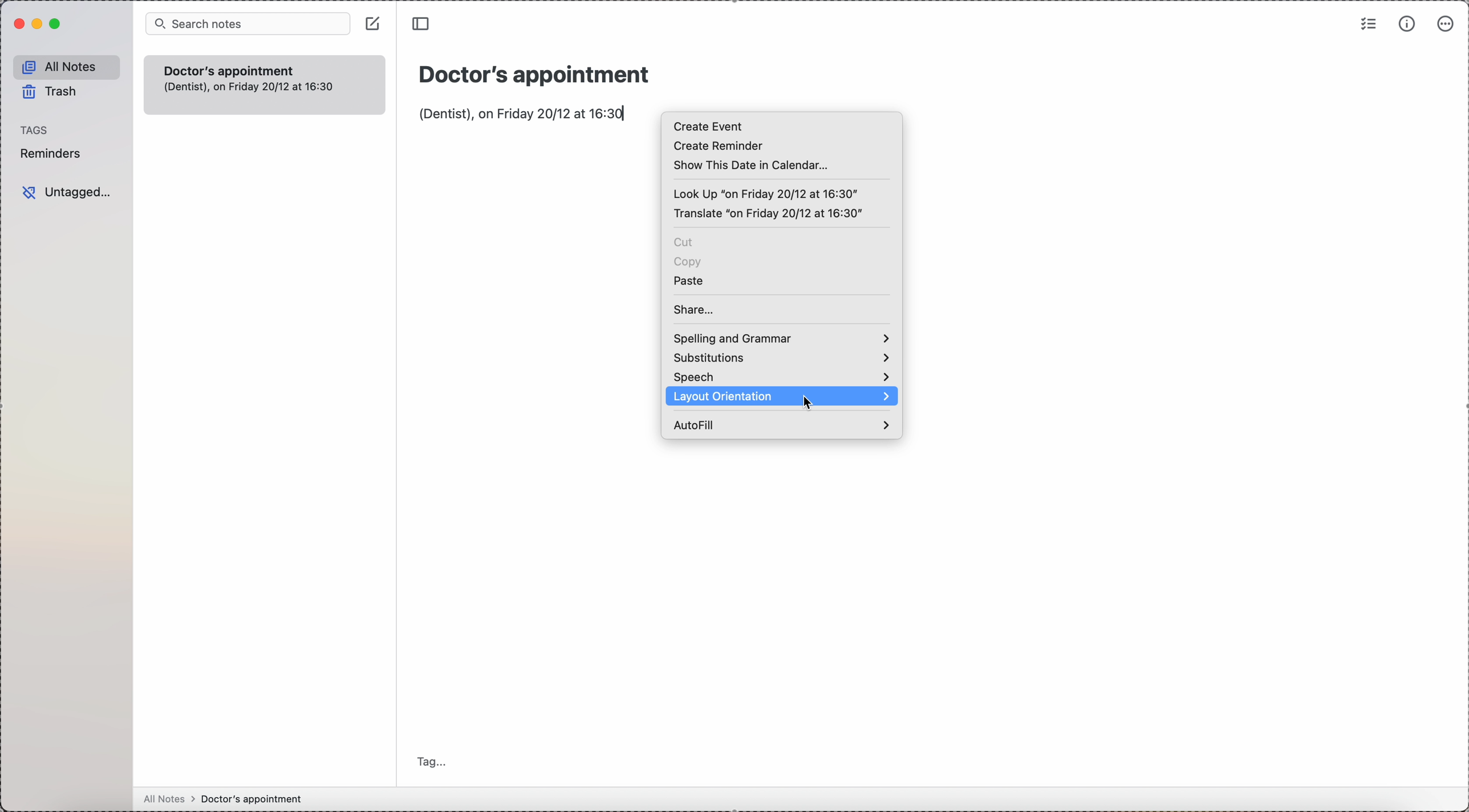 The width and height of the screenshot is (1469, 812). Describe the element at coordinates (780, 358) in the screenshot. I see `substitutions` at that location.